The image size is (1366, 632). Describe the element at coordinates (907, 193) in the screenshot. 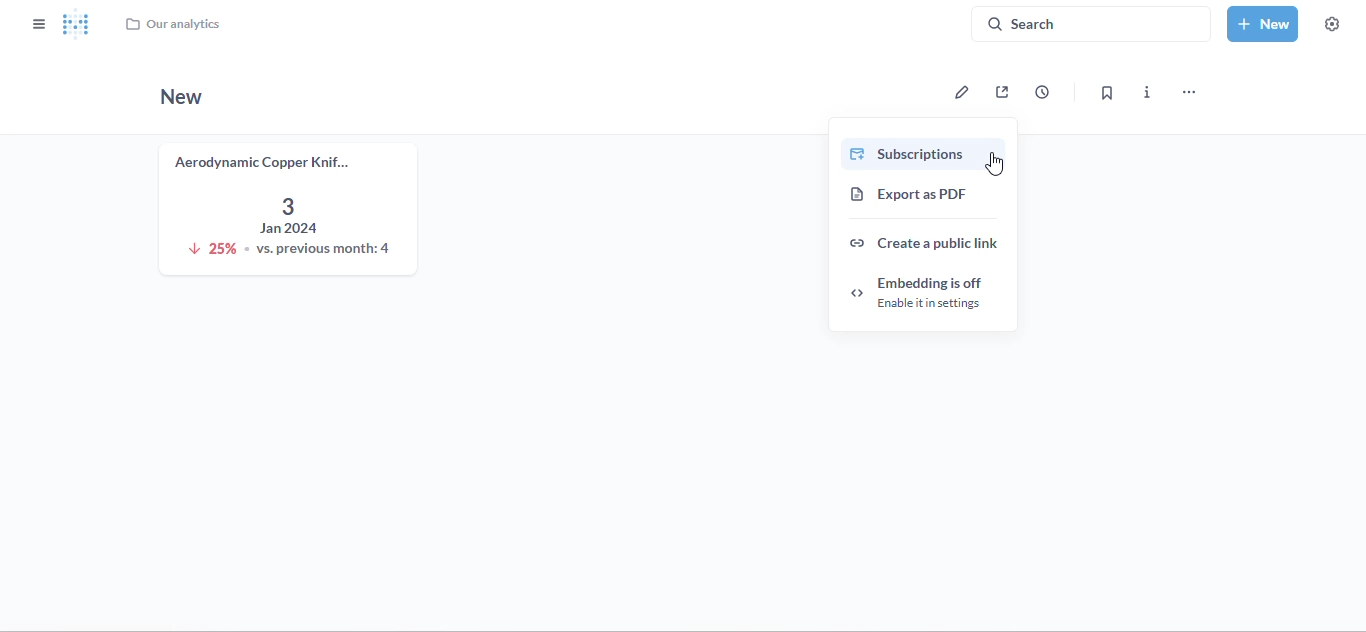

I see `export as PDF` at that location.